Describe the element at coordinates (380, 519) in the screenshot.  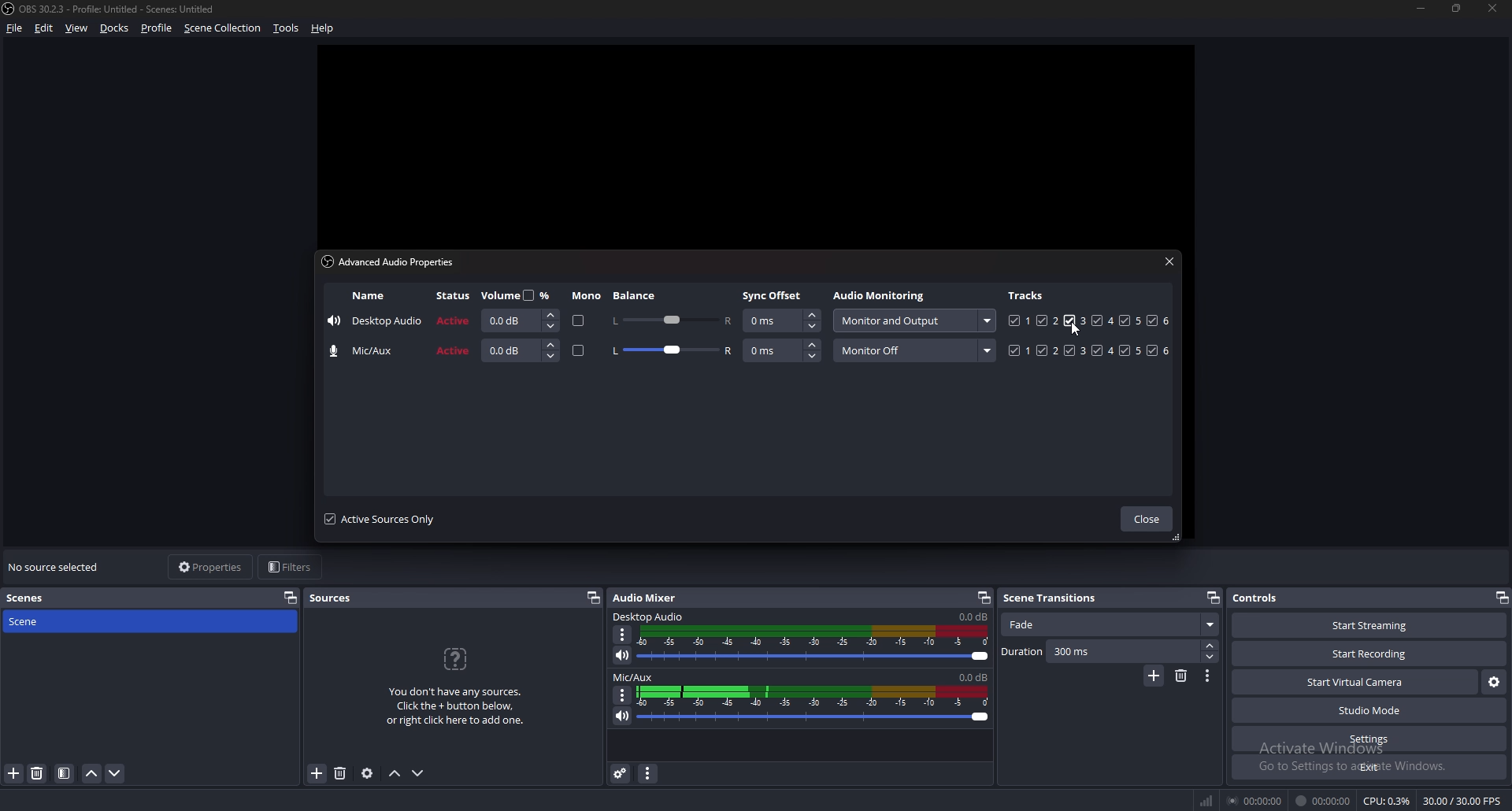
I see `active sources only` at that location.